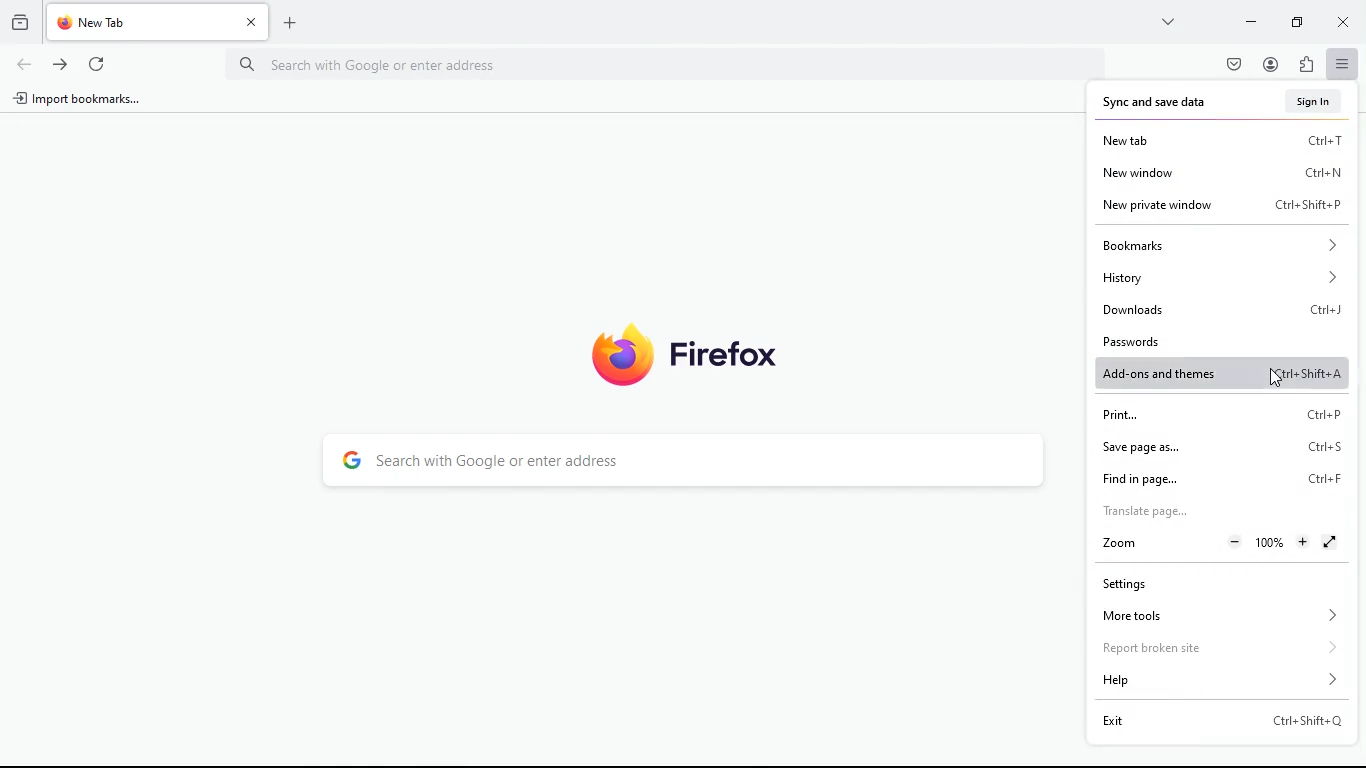 The height and width of the screenshot is (768, 1366). What do you see at coordinates (690, 356) in the screenshot?
I see `firefox` at bounding box center [690, 356].